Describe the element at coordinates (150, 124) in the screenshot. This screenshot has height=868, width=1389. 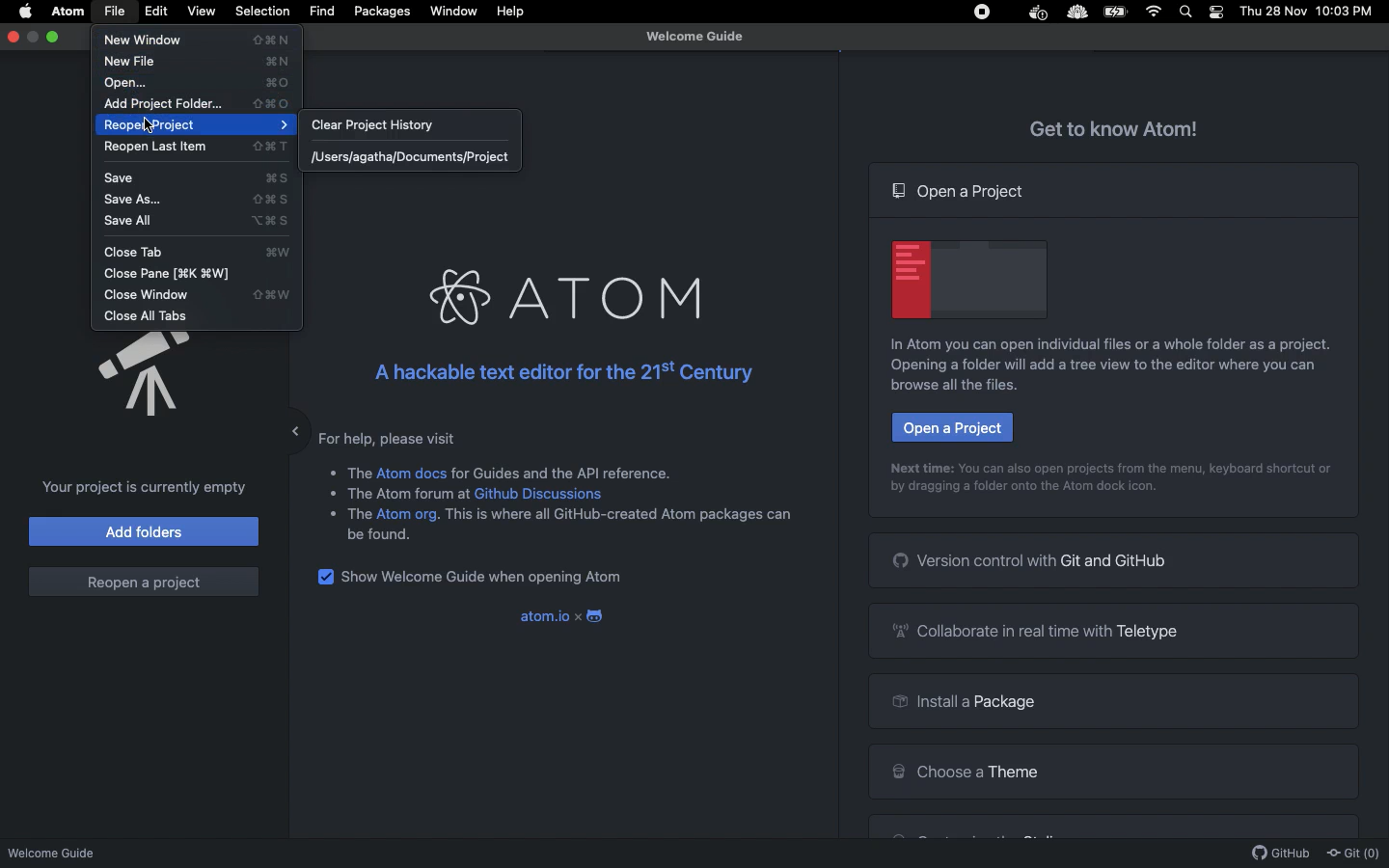
I see `crusor` at that location.